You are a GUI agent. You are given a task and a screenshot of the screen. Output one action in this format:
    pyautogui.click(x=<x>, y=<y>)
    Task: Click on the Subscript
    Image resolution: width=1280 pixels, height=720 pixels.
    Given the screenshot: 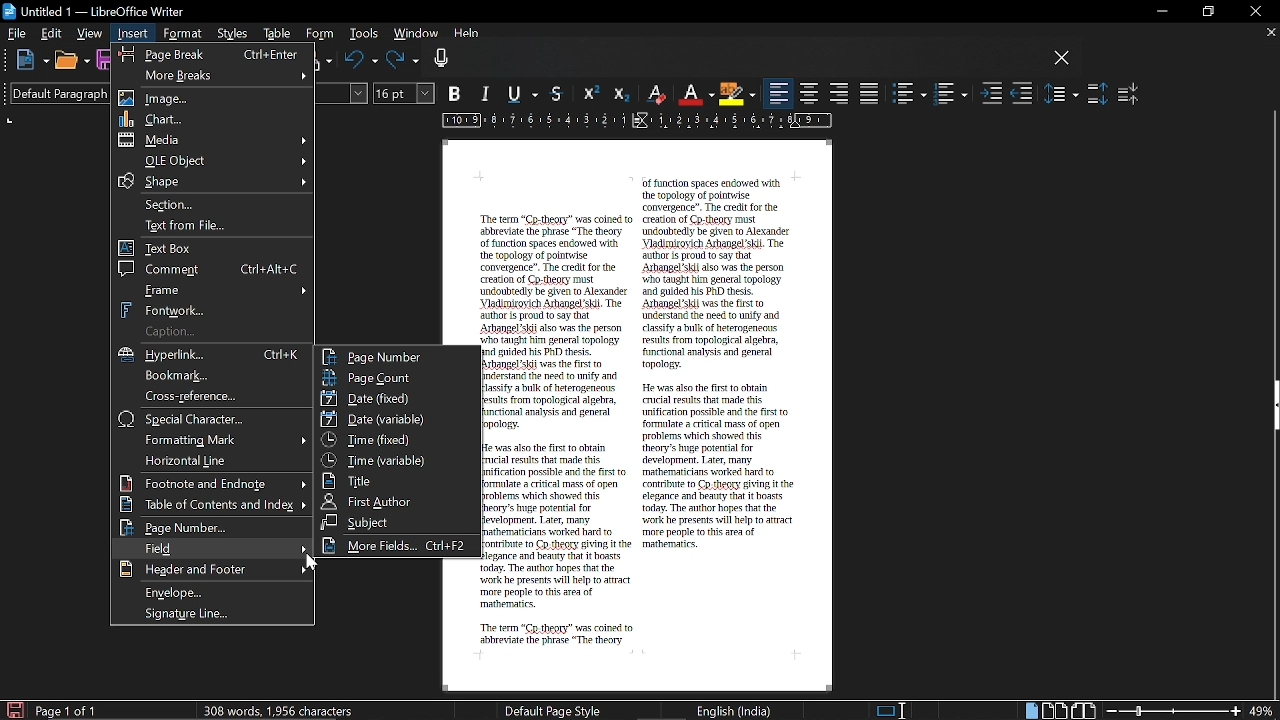 What is the action you would take?
    pyautogui.click(x=619, y=94)
    